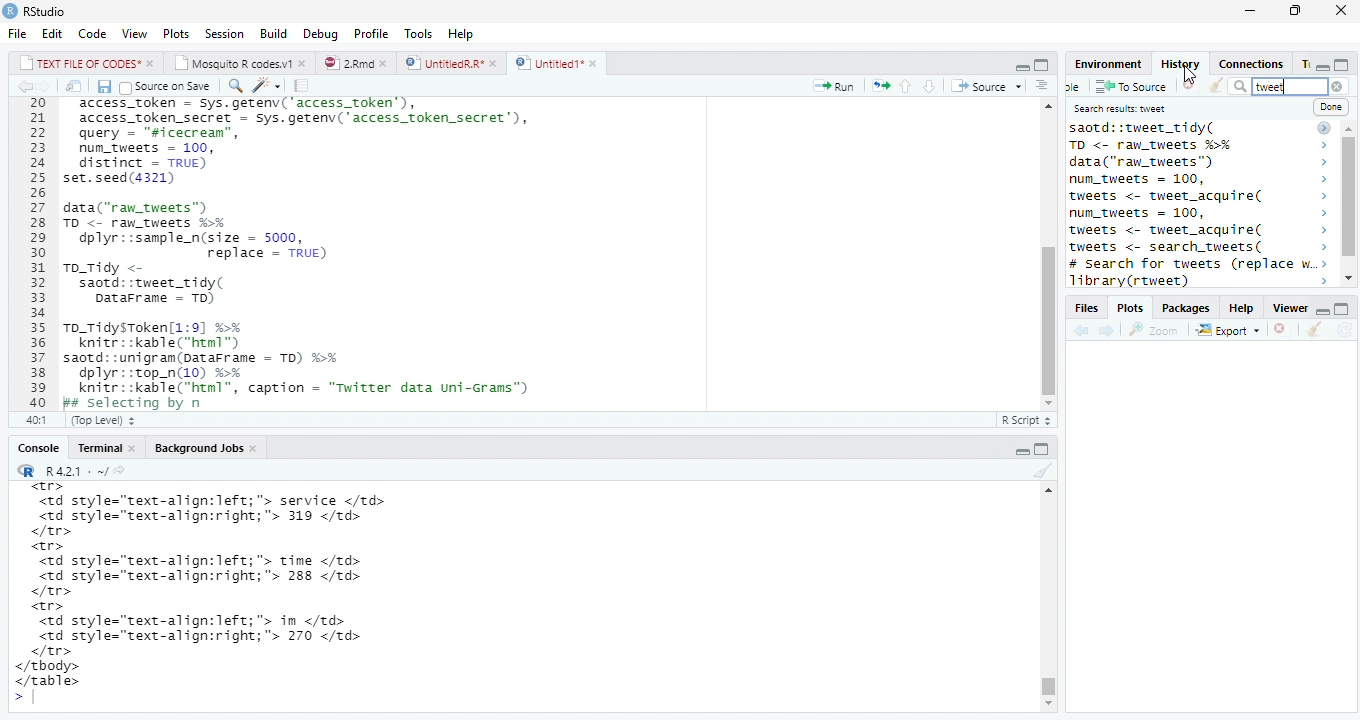 This screenshot has width=1360, height=720. Describe the element at coordinates (462, 33) in the screenshot. I see `Help` at that location.